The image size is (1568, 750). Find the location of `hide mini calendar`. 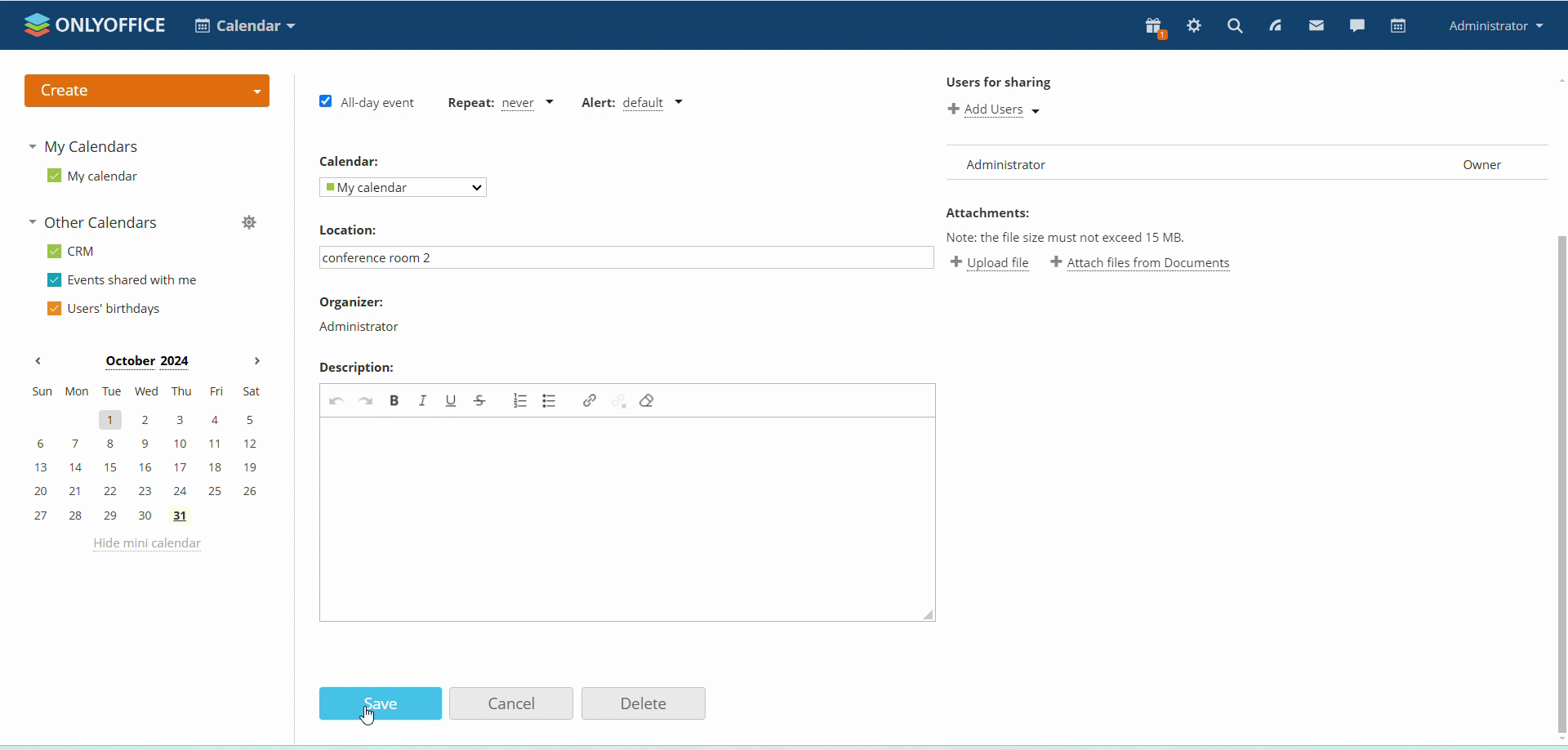

hide mini calendar is located at coordinates (145, 547).